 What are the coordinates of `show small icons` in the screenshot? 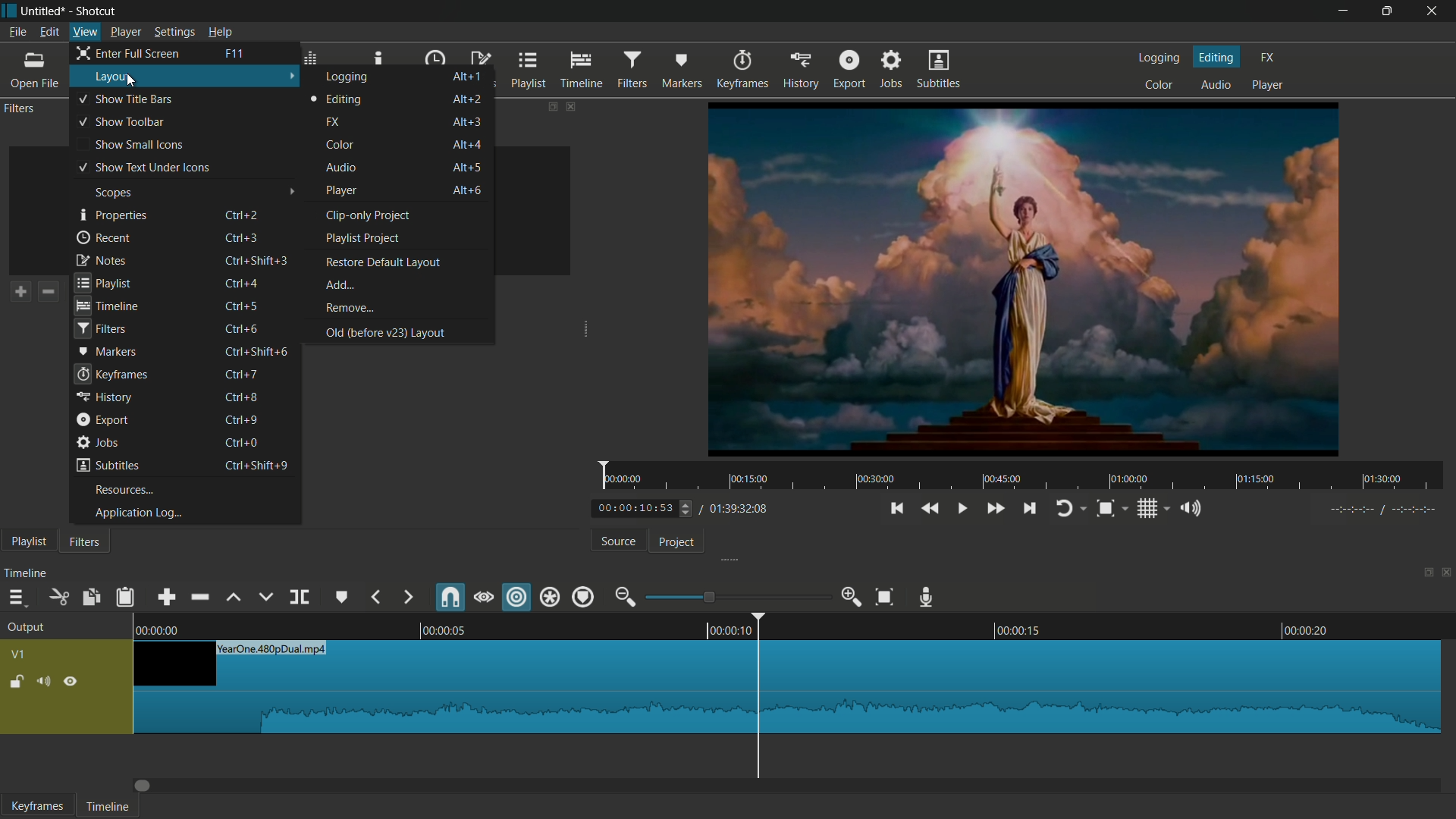 It's located at (138, 145).